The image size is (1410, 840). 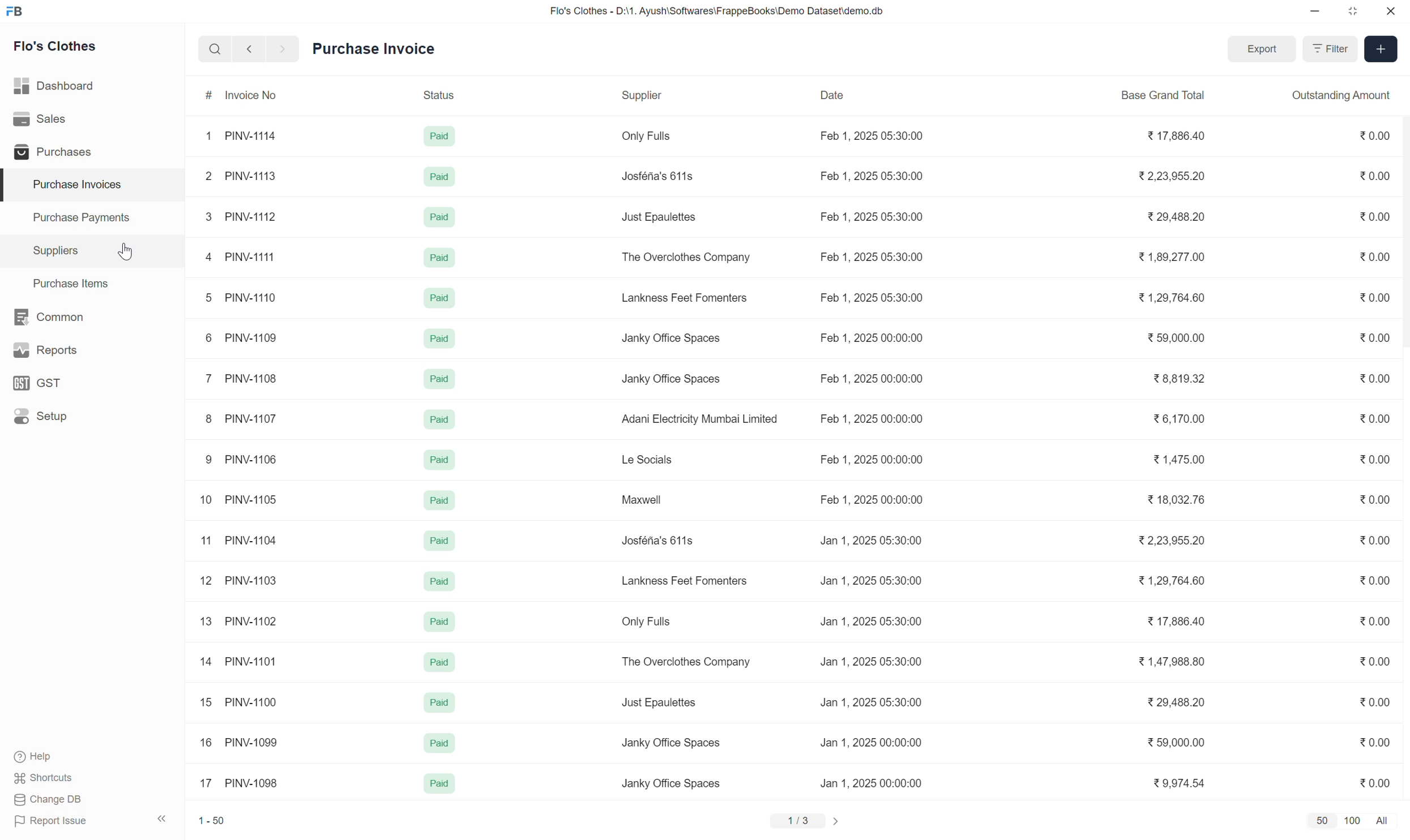 What do you see at coordinates (647, 459) in the screenshot?
I see `Le Socials` at bounding box center [647, 459].